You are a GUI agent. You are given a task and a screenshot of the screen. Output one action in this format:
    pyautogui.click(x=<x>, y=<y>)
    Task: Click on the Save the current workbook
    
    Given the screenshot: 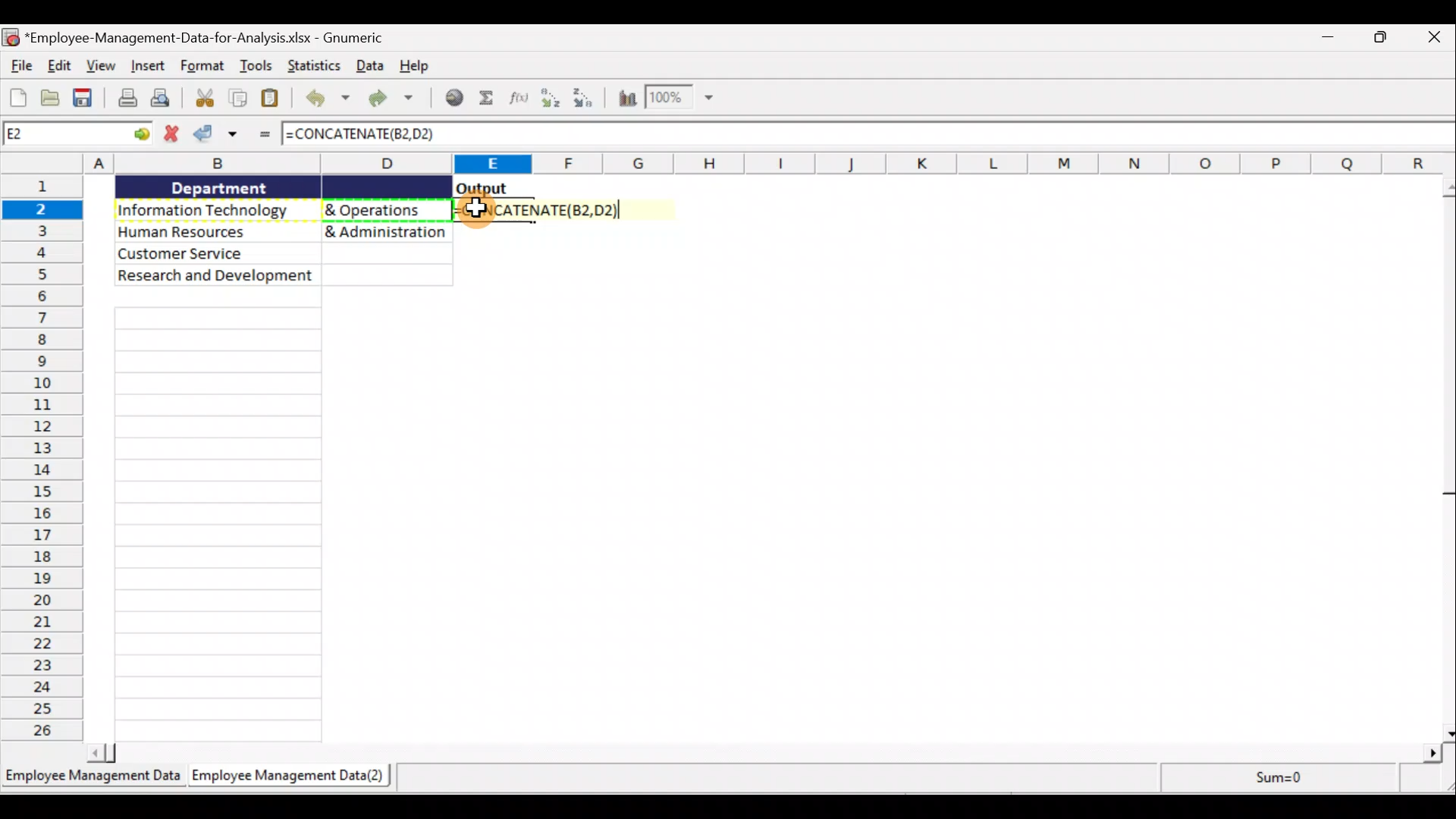 What is the action you would take?
    pyautogui.click(x=85, y=98)
    